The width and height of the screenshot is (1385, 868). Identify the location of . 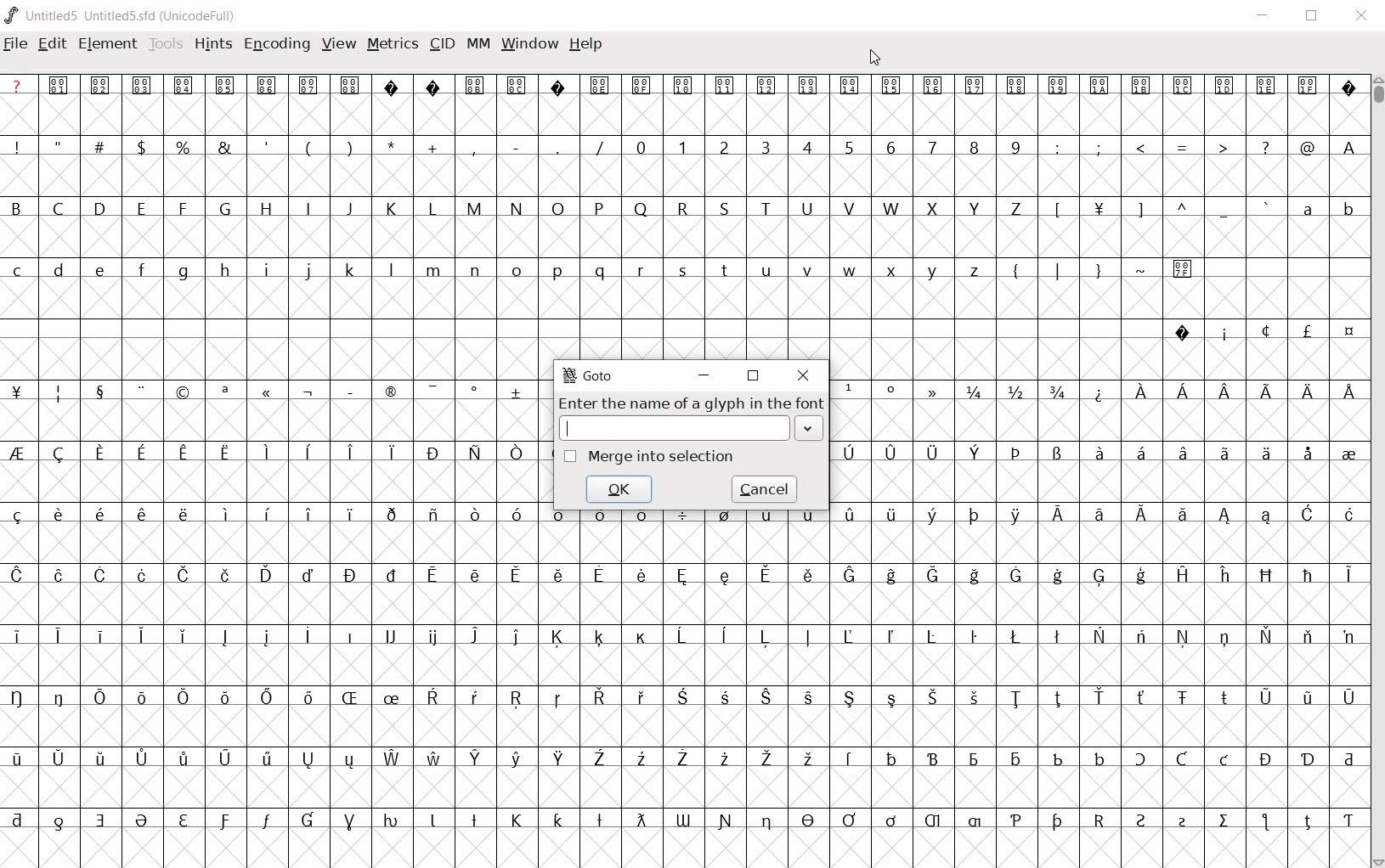
(100, 272).